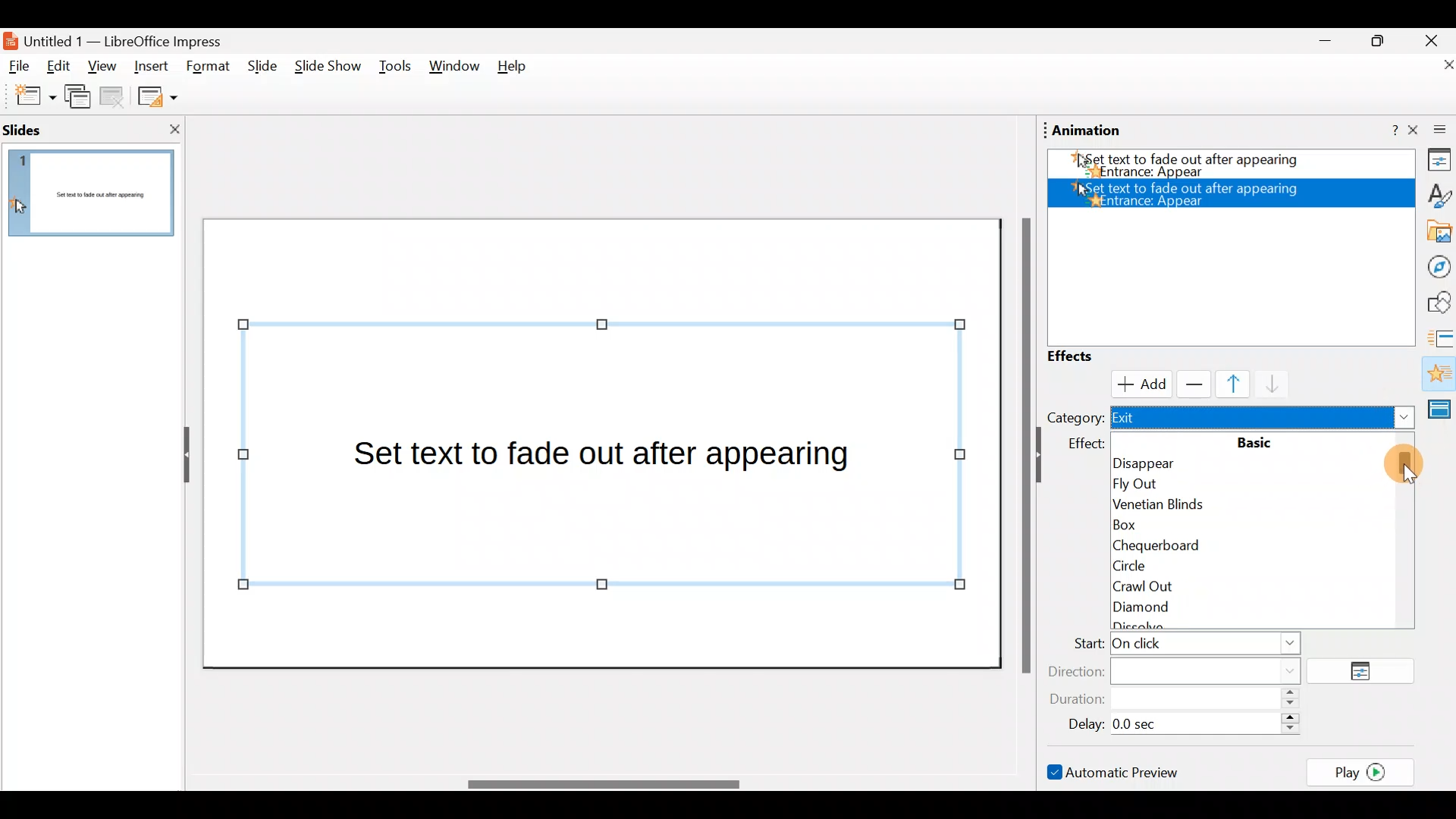 The height and width of the screenshot is (819, 1456). Describe the element at coordinates (1365, 771) in the screenshot. I see `Play` at that location.